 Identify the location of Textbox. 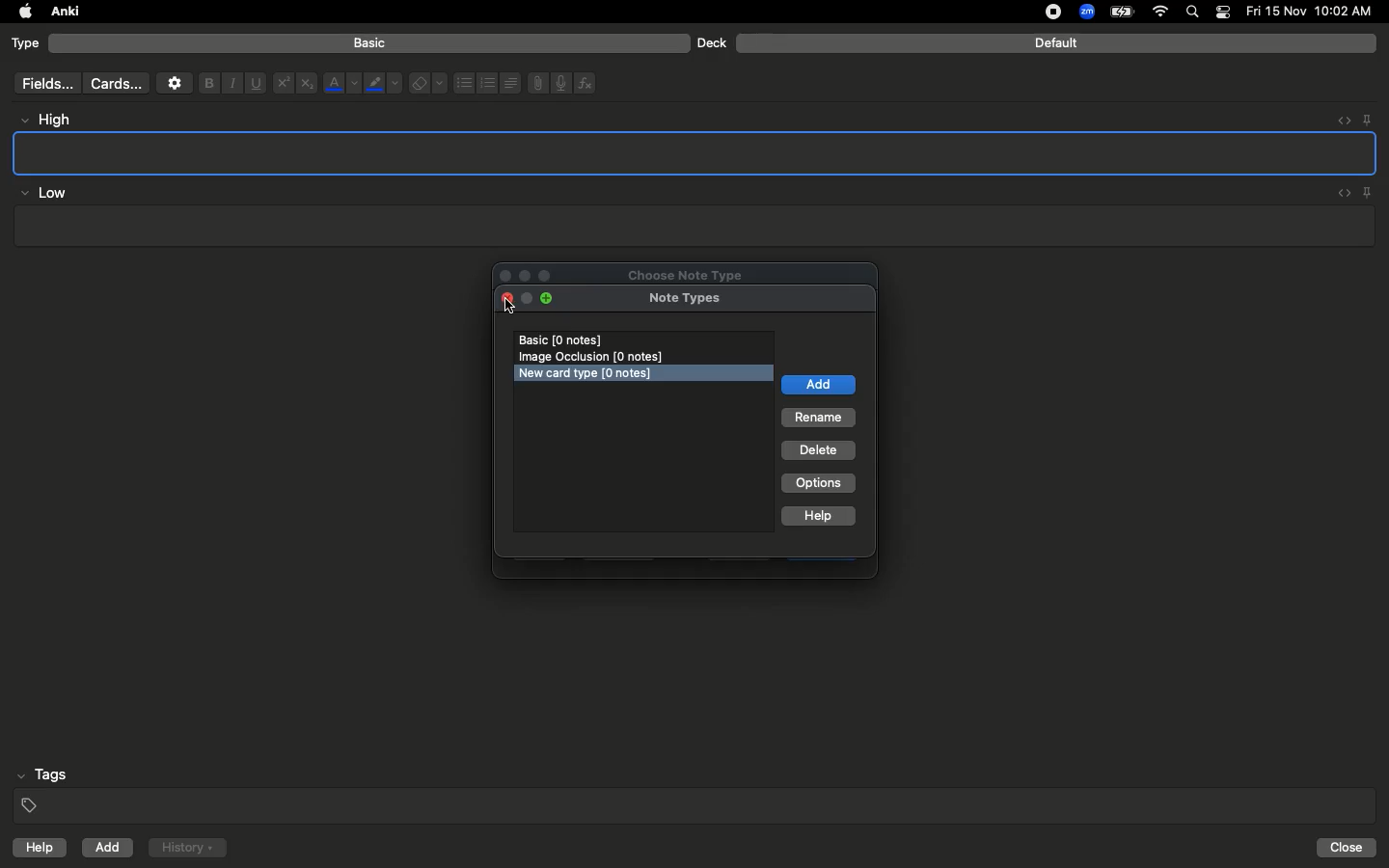
(692, 227).